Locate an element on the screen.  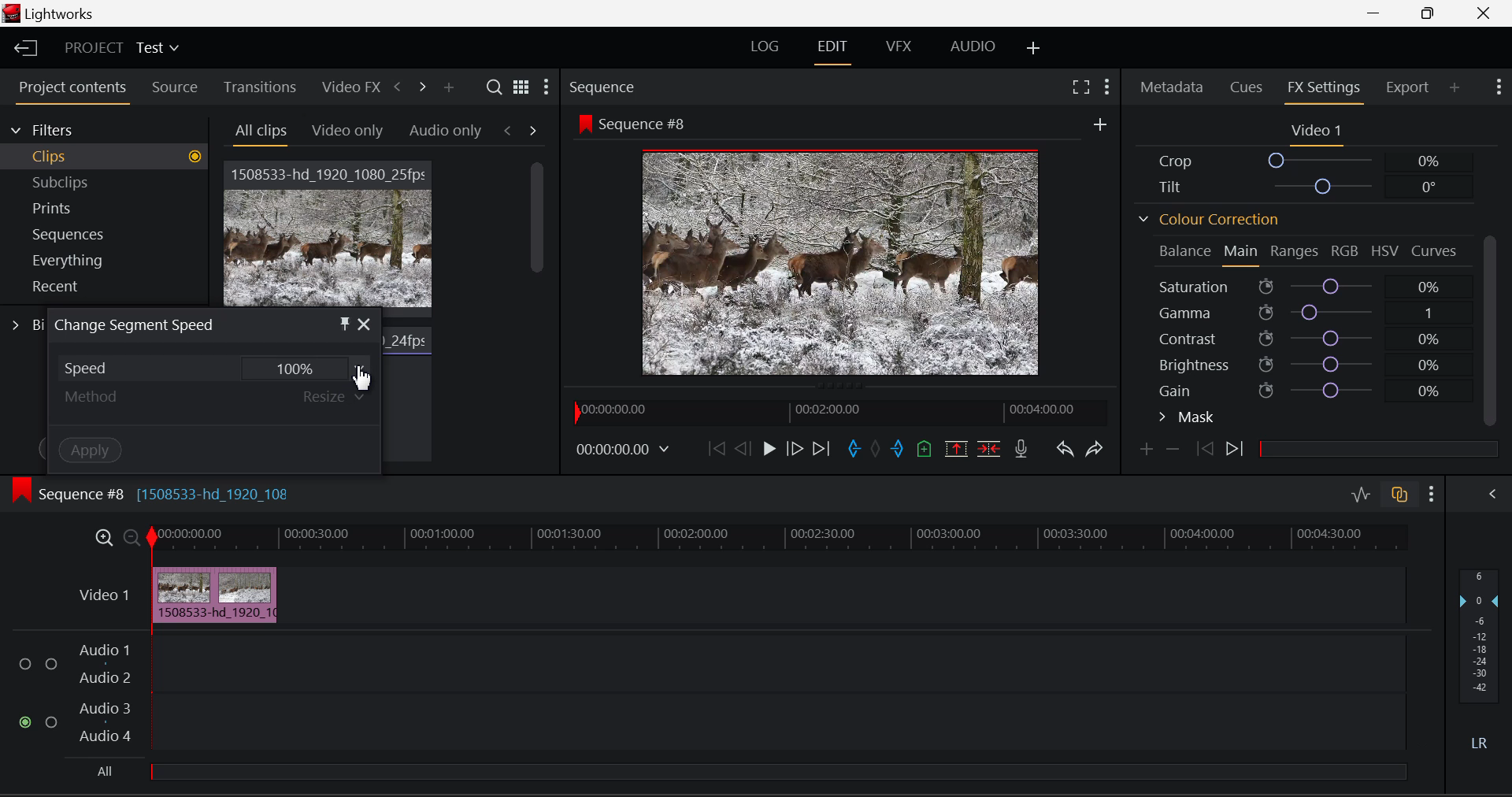
VFX is located at coordinates (898, 46).